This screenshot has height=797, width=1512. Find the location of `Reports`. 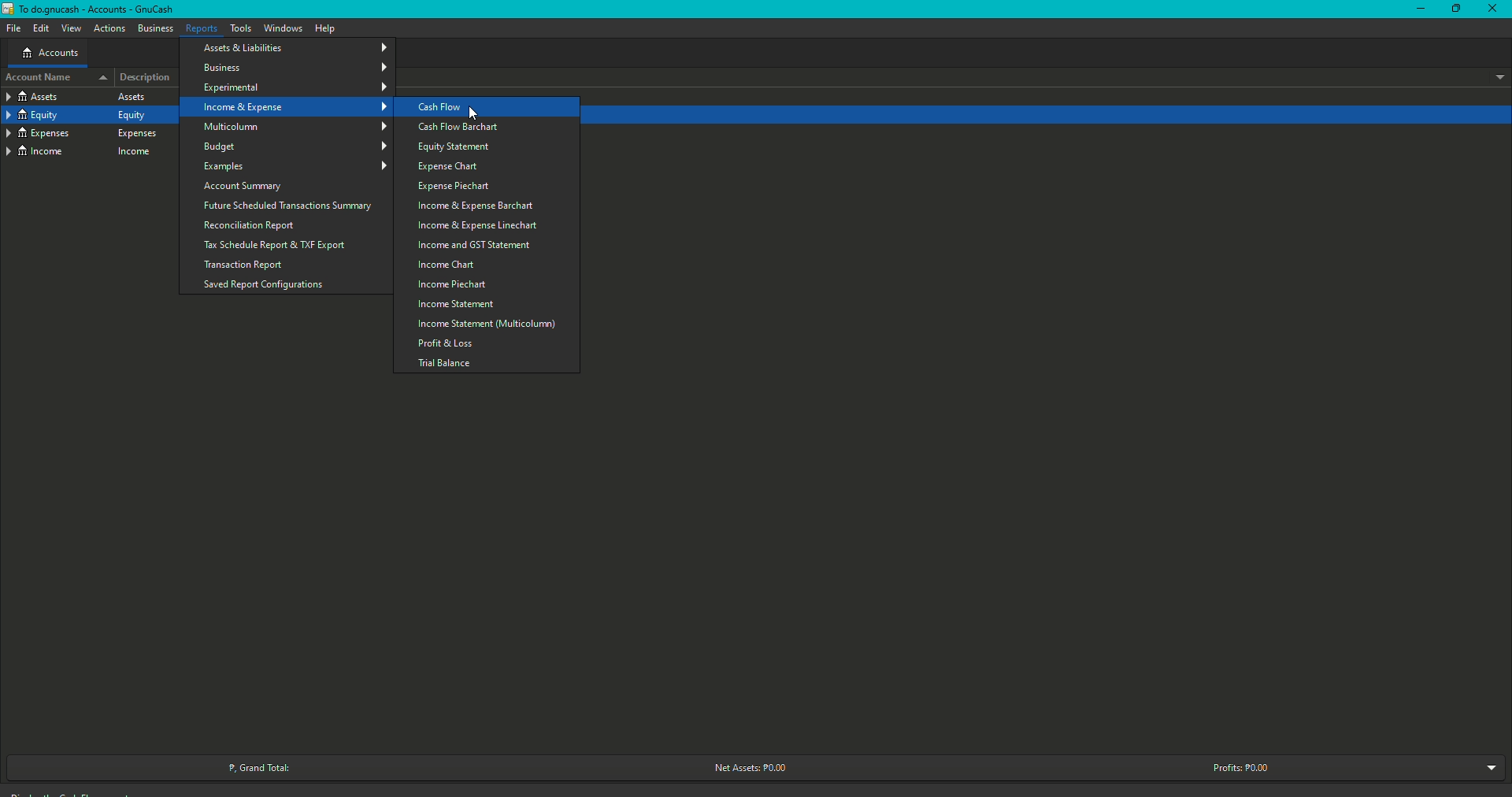

Reports is located at coordinates (203, 28).